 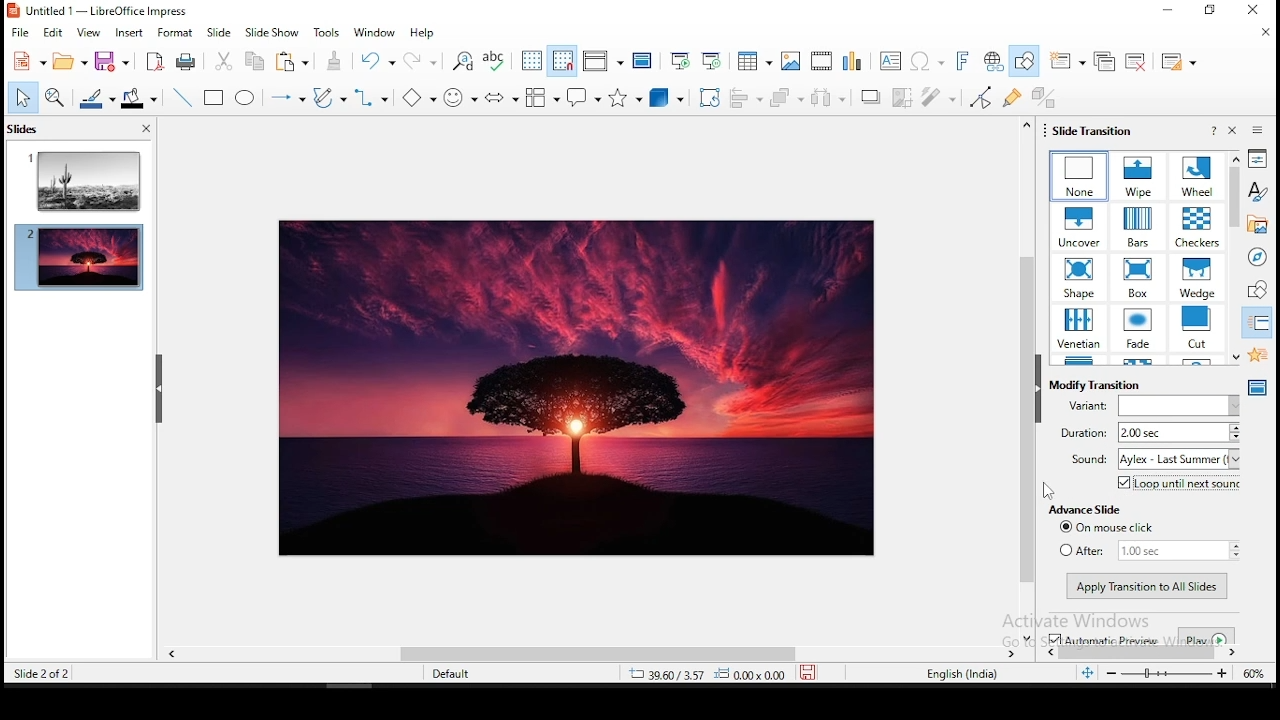 I want to click on crop image, so click(x=903, y=97).